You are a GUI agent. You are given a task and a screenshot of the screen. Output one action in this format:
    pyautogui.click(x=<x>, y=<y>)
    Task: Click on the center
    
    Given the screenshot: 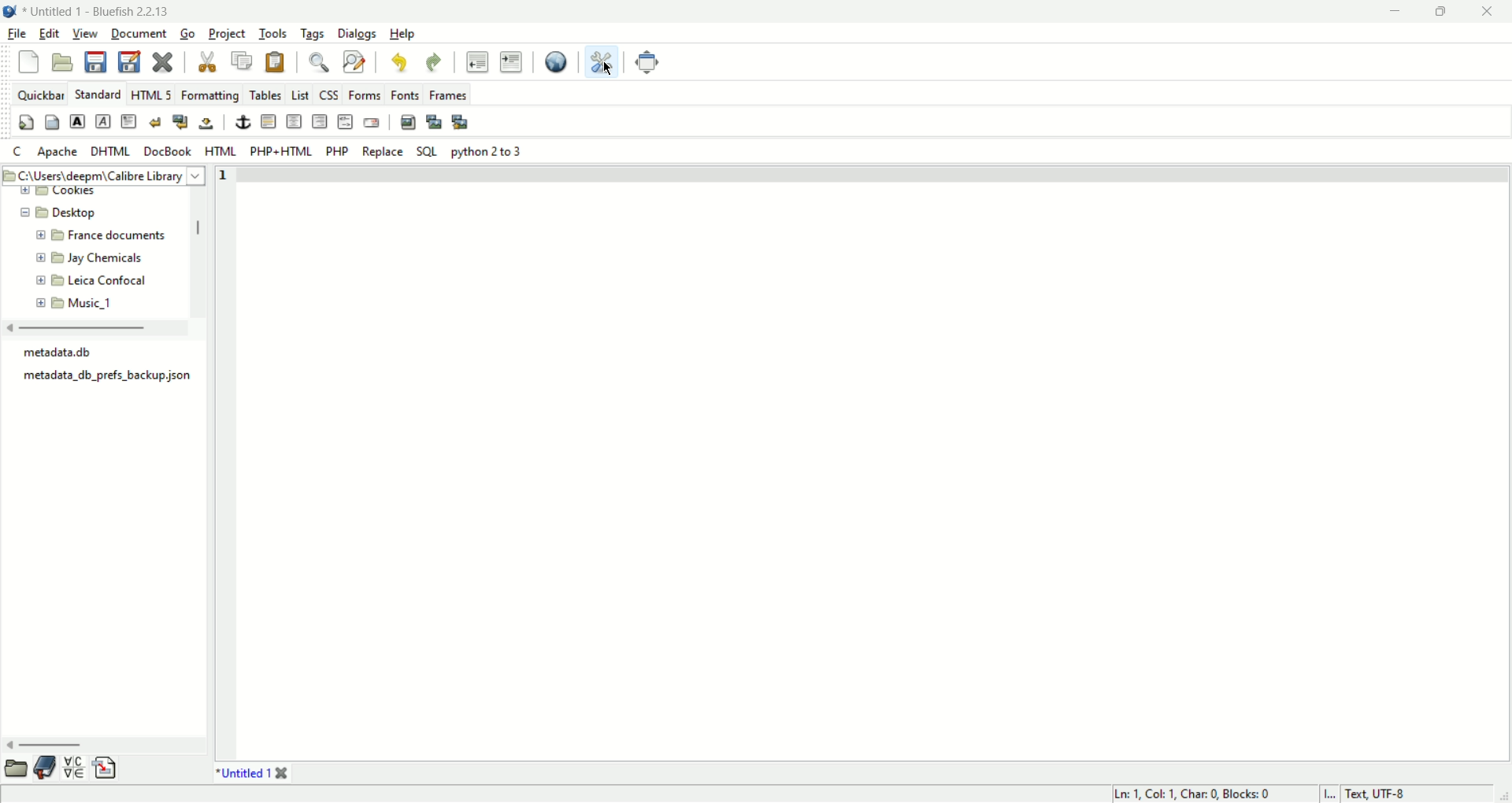 What is the action you would take?
    pyautogui.click(x=295, y=123)
    